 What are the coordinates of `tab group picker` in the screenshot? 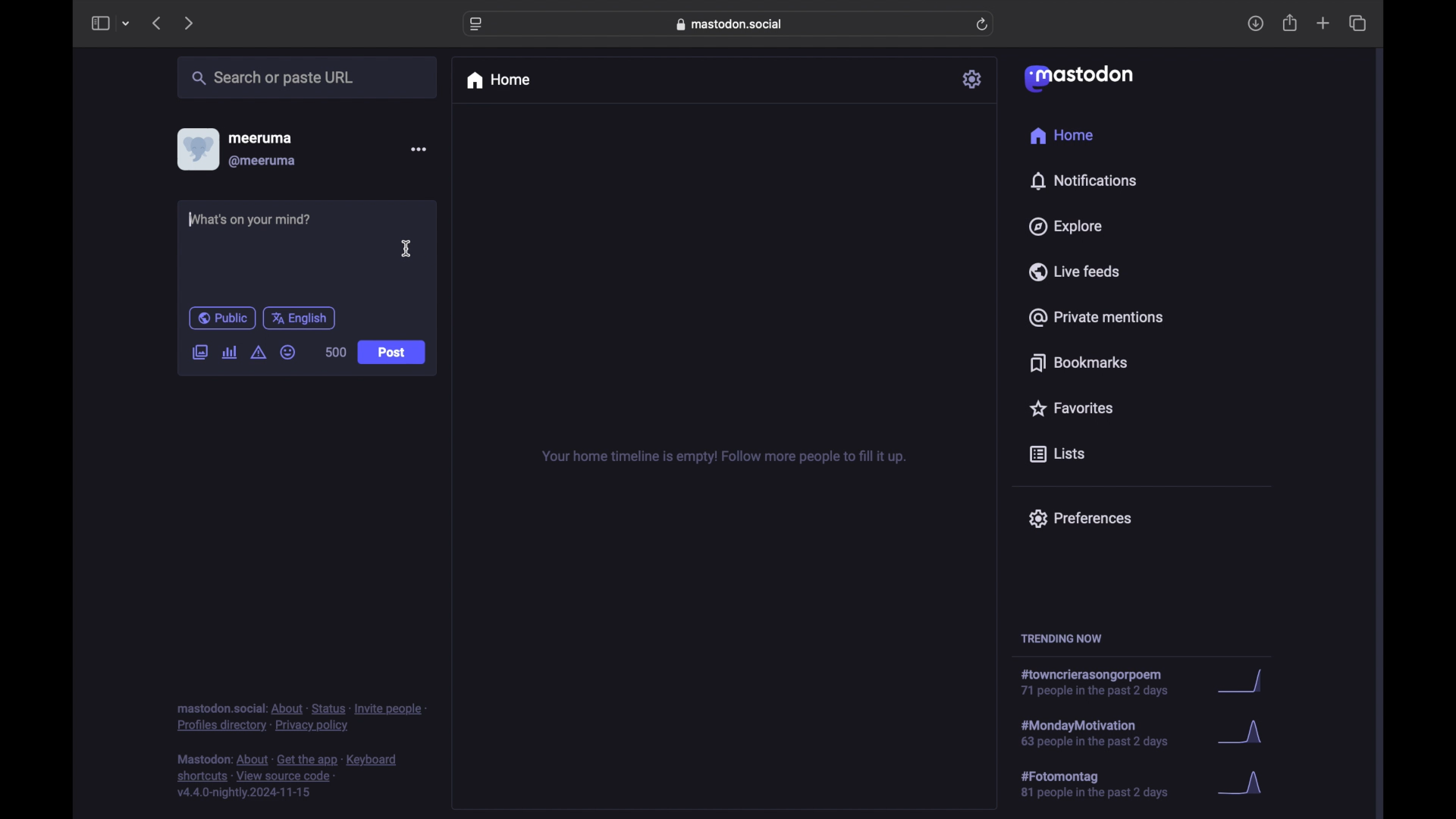 It's located at (127, 23).